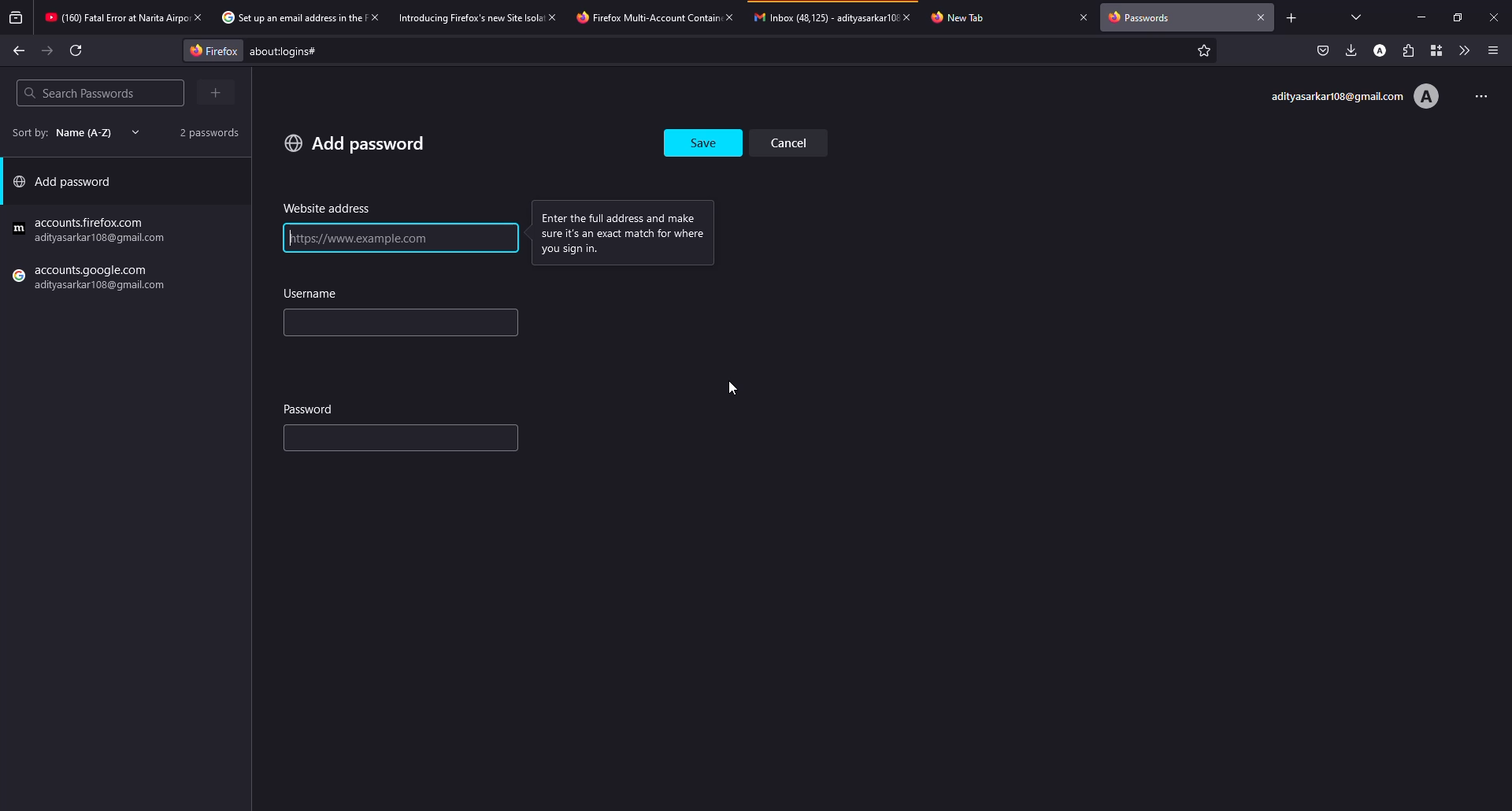  What do you see at coordinates (1424, 17) in the screenshot?
I see `minimize` at bounding box center [1424, 17].